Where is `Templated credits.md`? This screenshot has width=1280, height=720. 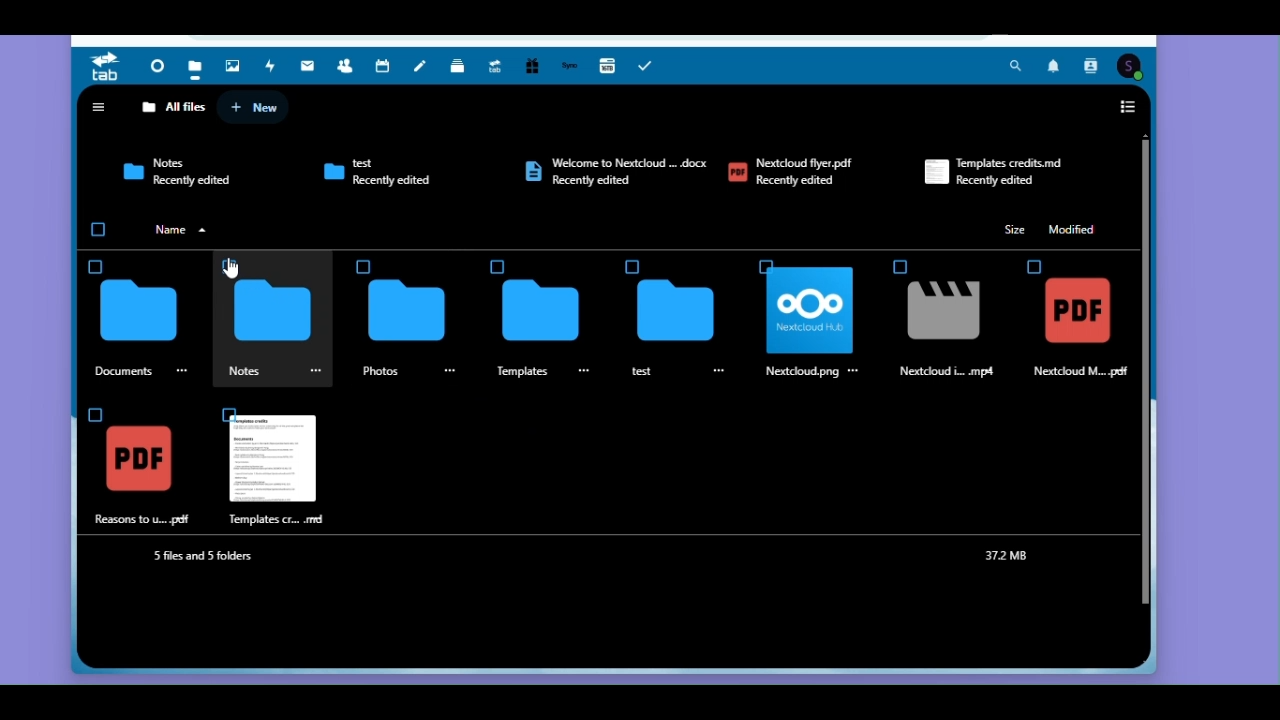 Templated credits.md is located at coordinates (1014, 163).